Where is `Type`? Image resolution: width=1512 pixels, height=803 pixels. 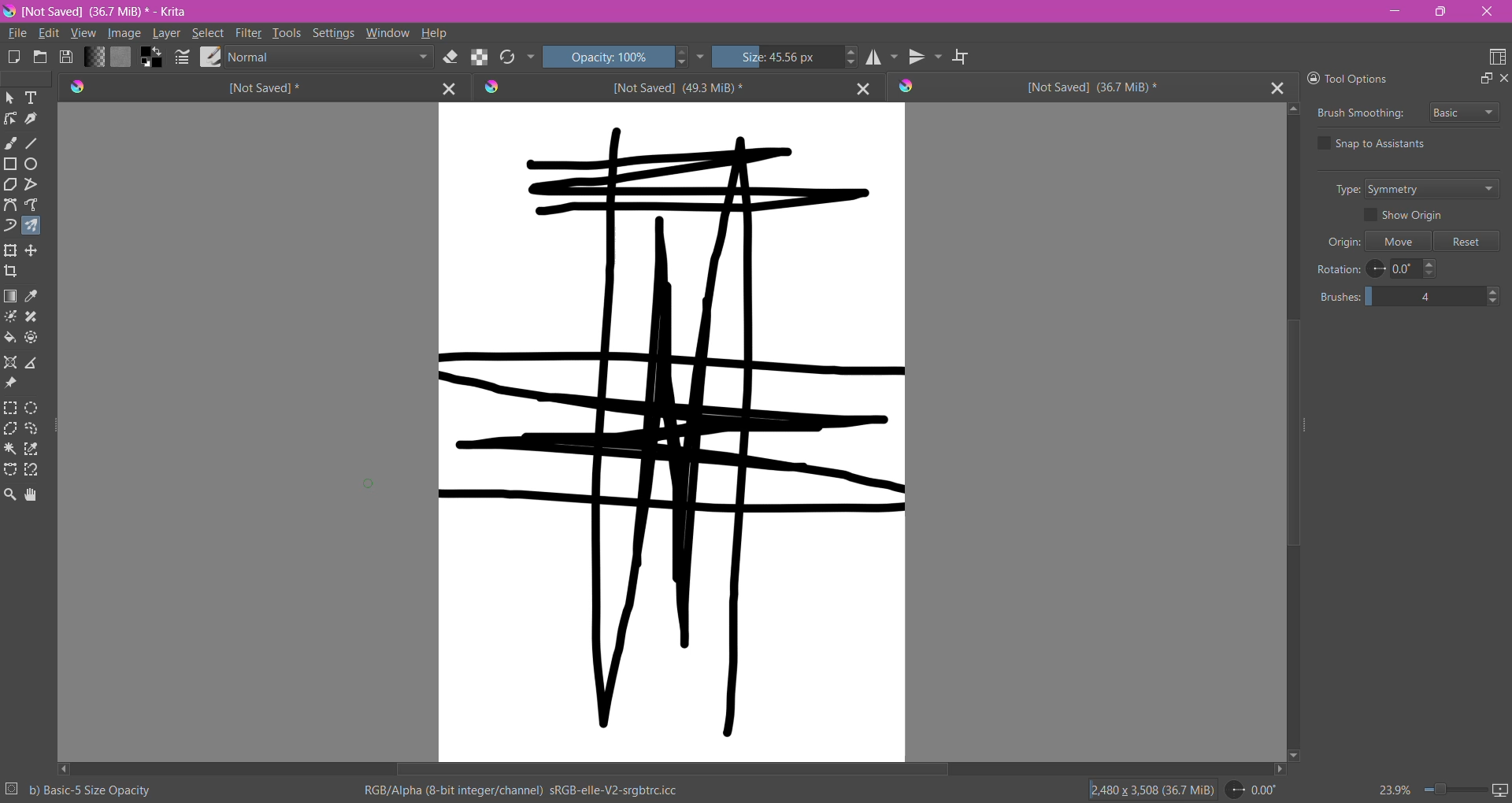
Type is located at coordinates (1343, 189).